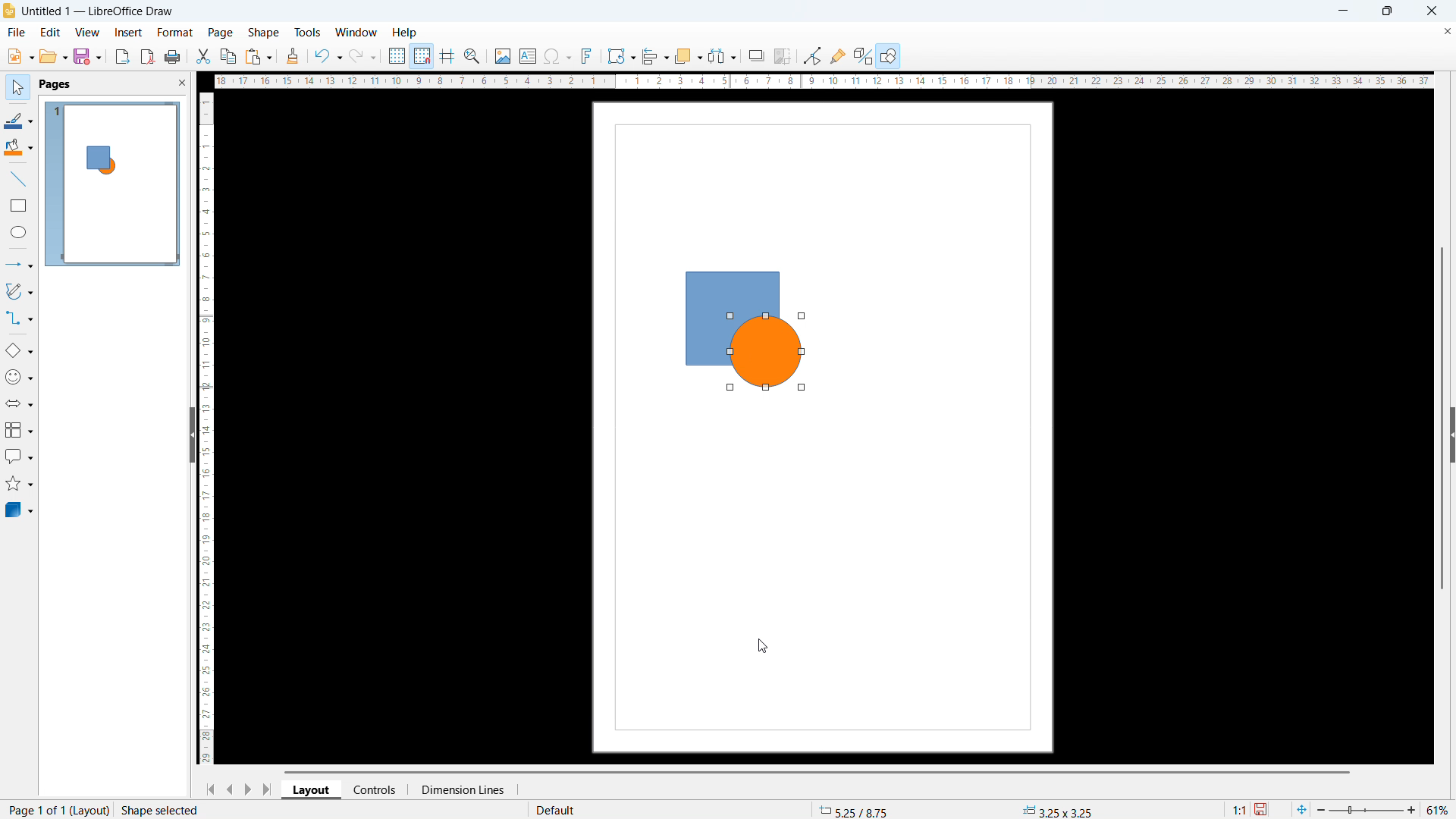 The height and width of the screenshot is (819, 1456). I want to click on Page number , so click(126, 811).